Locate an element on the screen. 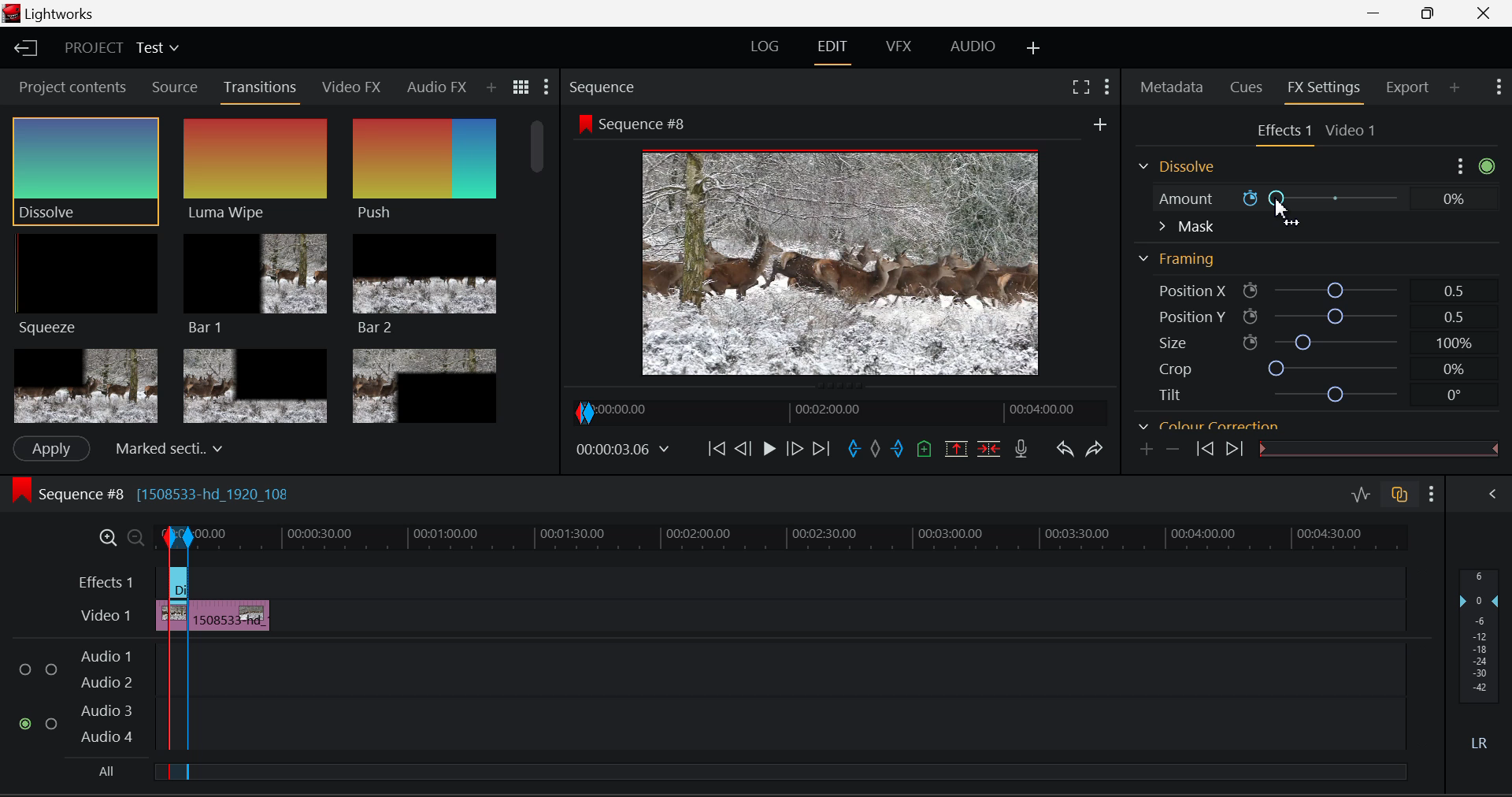 Image resolution: width=1512 pixels, height=797 pixels. To End is located at coordinates (822, 451).